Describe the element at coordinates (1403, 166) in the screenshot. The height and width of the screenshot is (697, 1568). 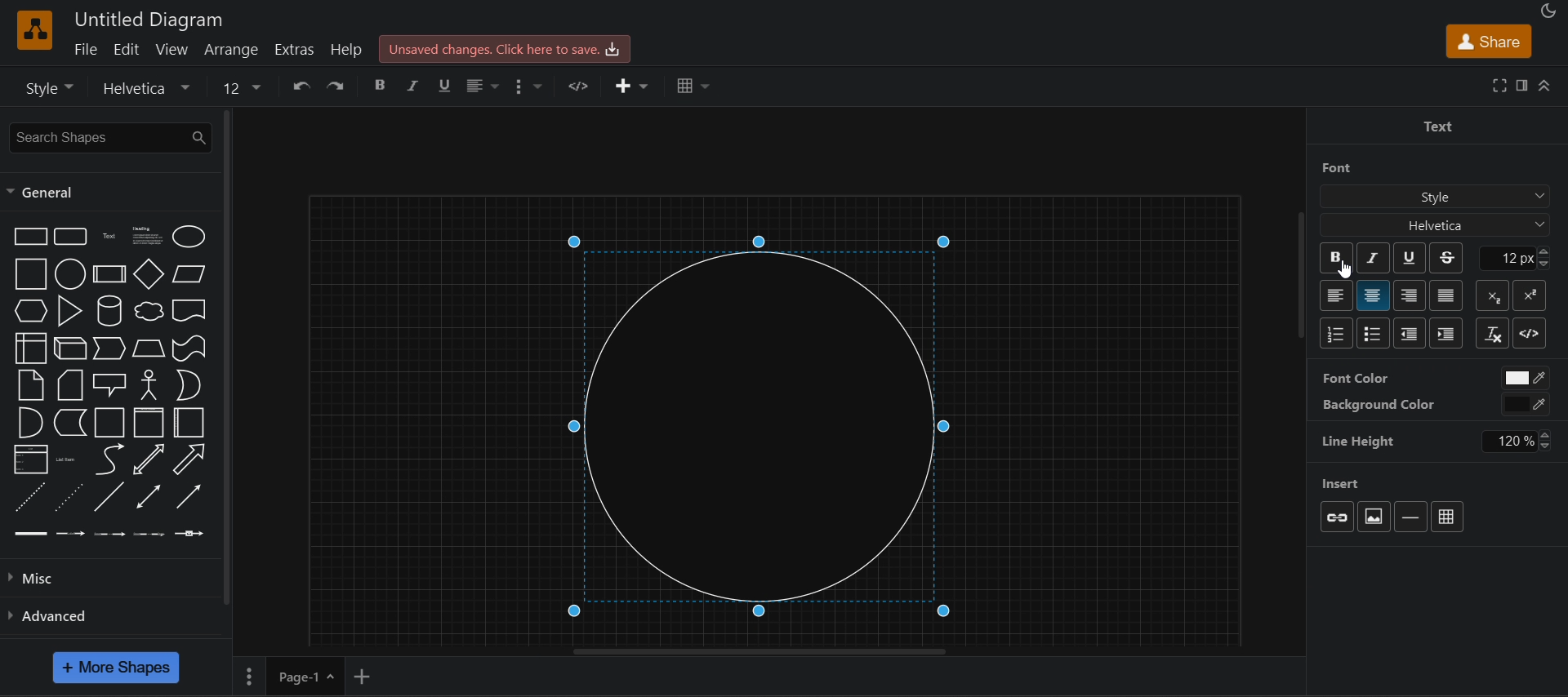
I see `font` at that location.